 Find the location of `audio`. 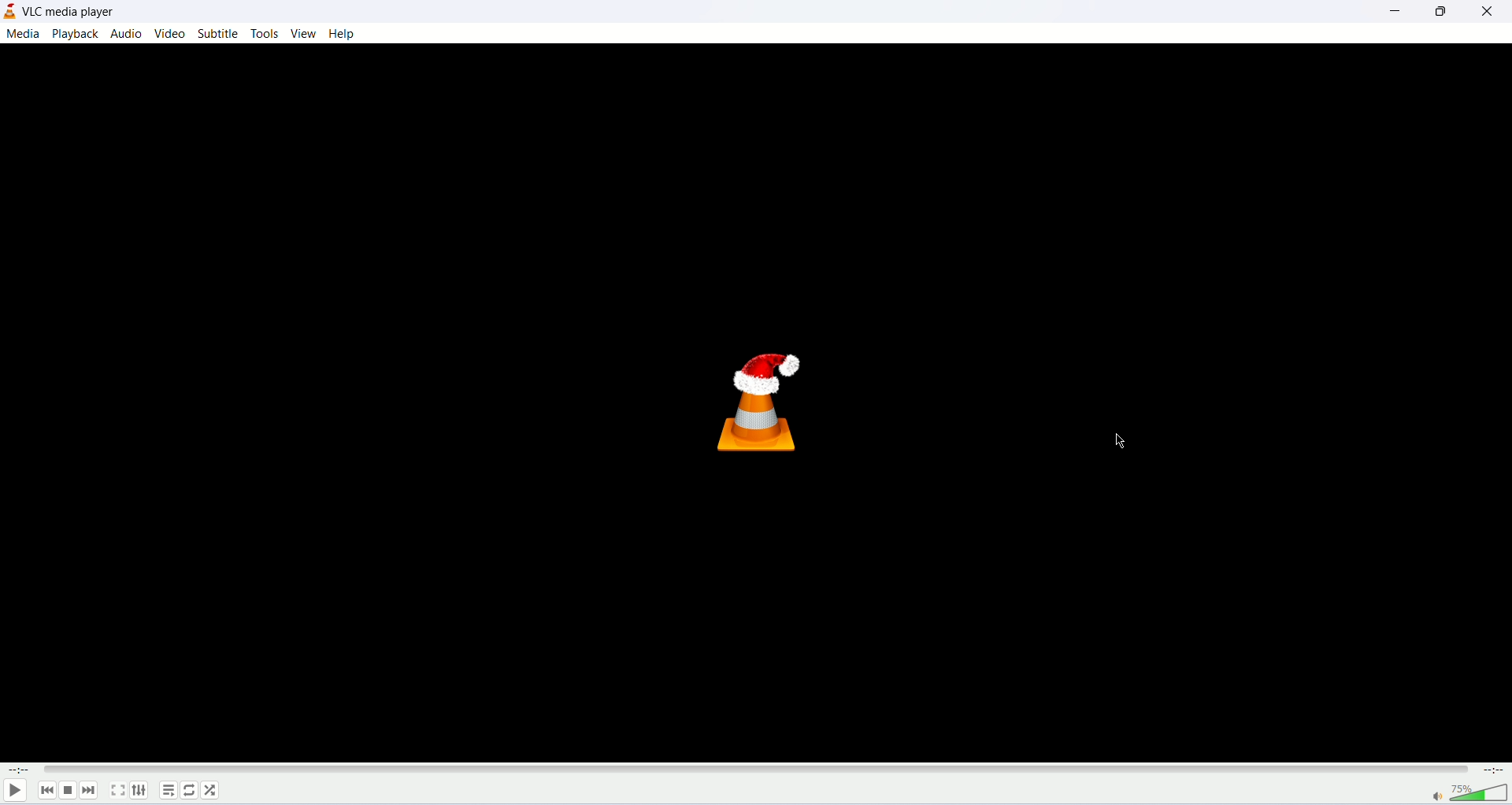

audio is located at coordinates (128, 35).